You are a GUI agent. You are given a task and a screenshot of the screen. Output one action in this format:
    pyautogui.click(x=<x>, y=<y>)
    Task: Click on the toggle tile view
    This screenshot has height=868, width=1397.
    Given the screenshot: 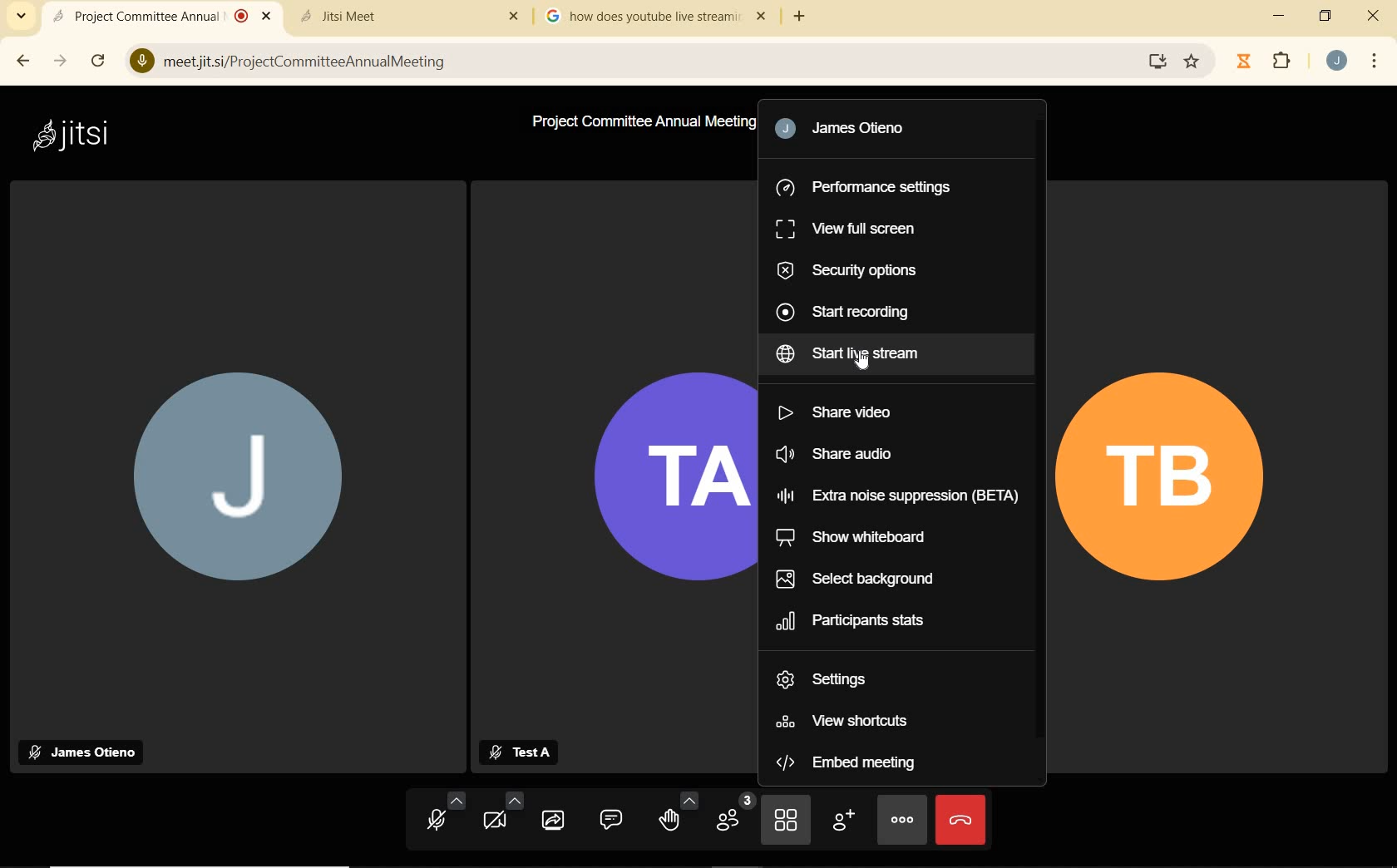 What is the action you would take?
    pyautogui.click(x=786, y=821)
    